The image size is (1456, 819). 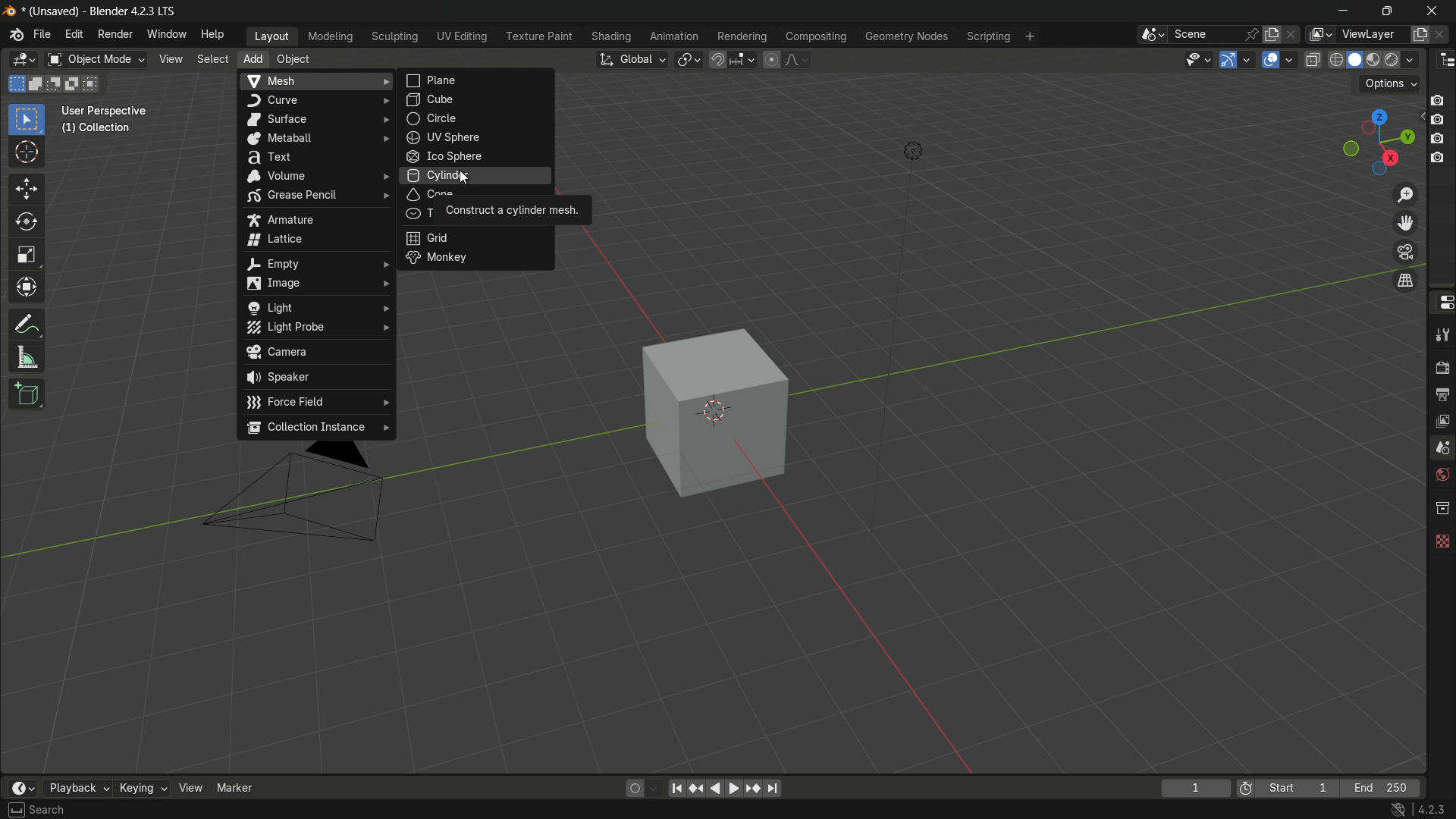 What do you see at coordinates (315, 306) in the screenshot?
I see `light` at bounding box center [315, 306].